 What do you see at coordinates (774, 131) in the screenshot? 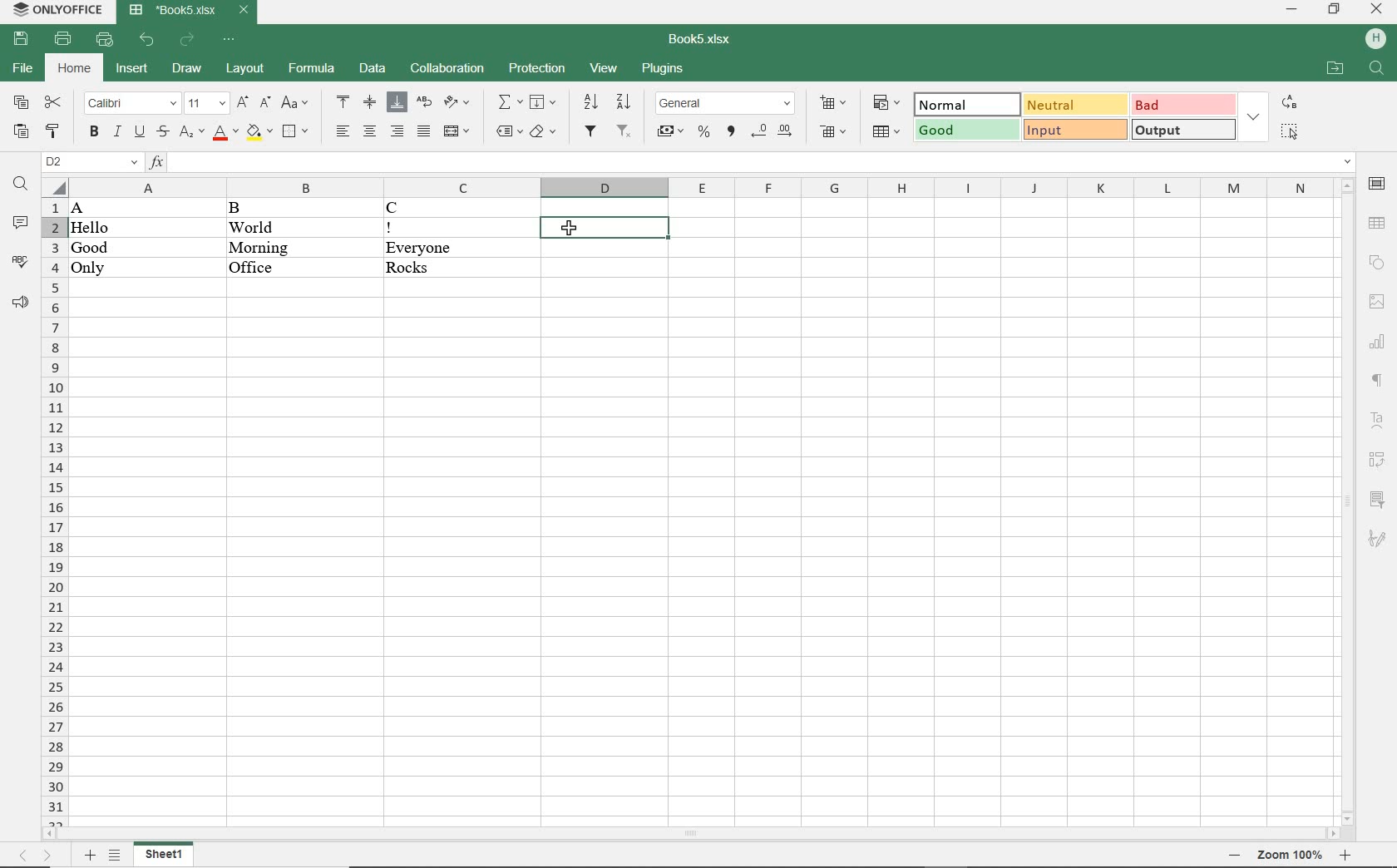
I see `CHANGE DECIMAL` at bounding box center [774, 131].